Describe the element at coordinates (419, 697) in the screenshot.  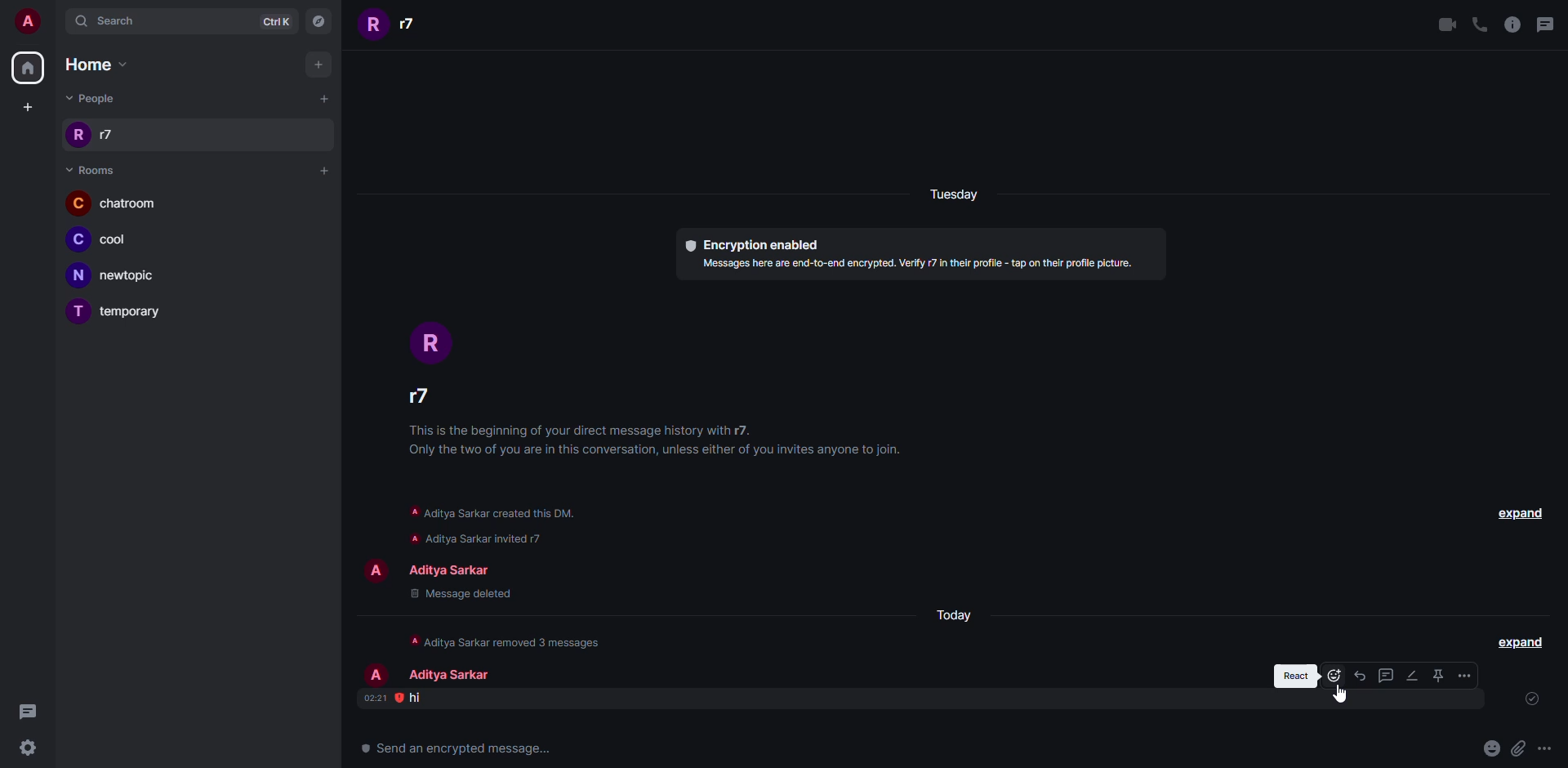
I see `message` at that location.